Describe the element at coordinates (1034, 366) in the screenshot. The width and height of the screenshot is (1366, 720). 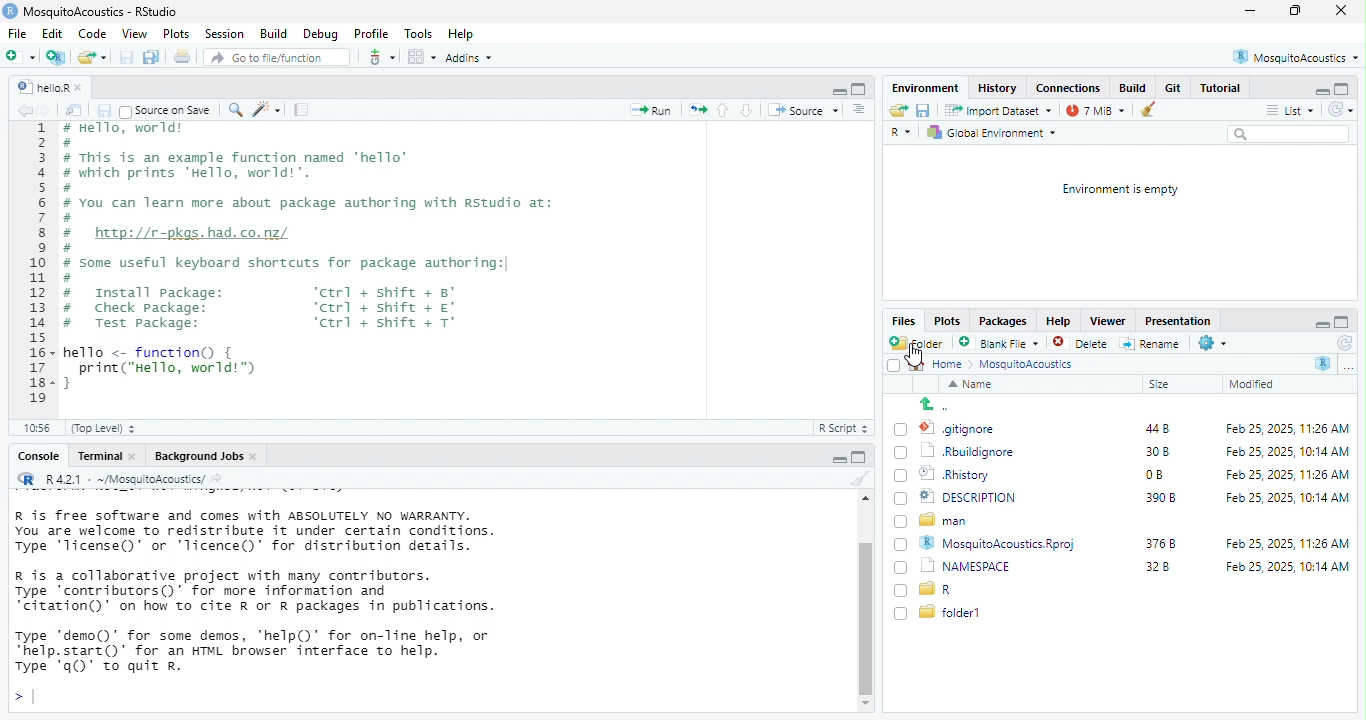
I see `  MosguitoAcoustics` at that location.